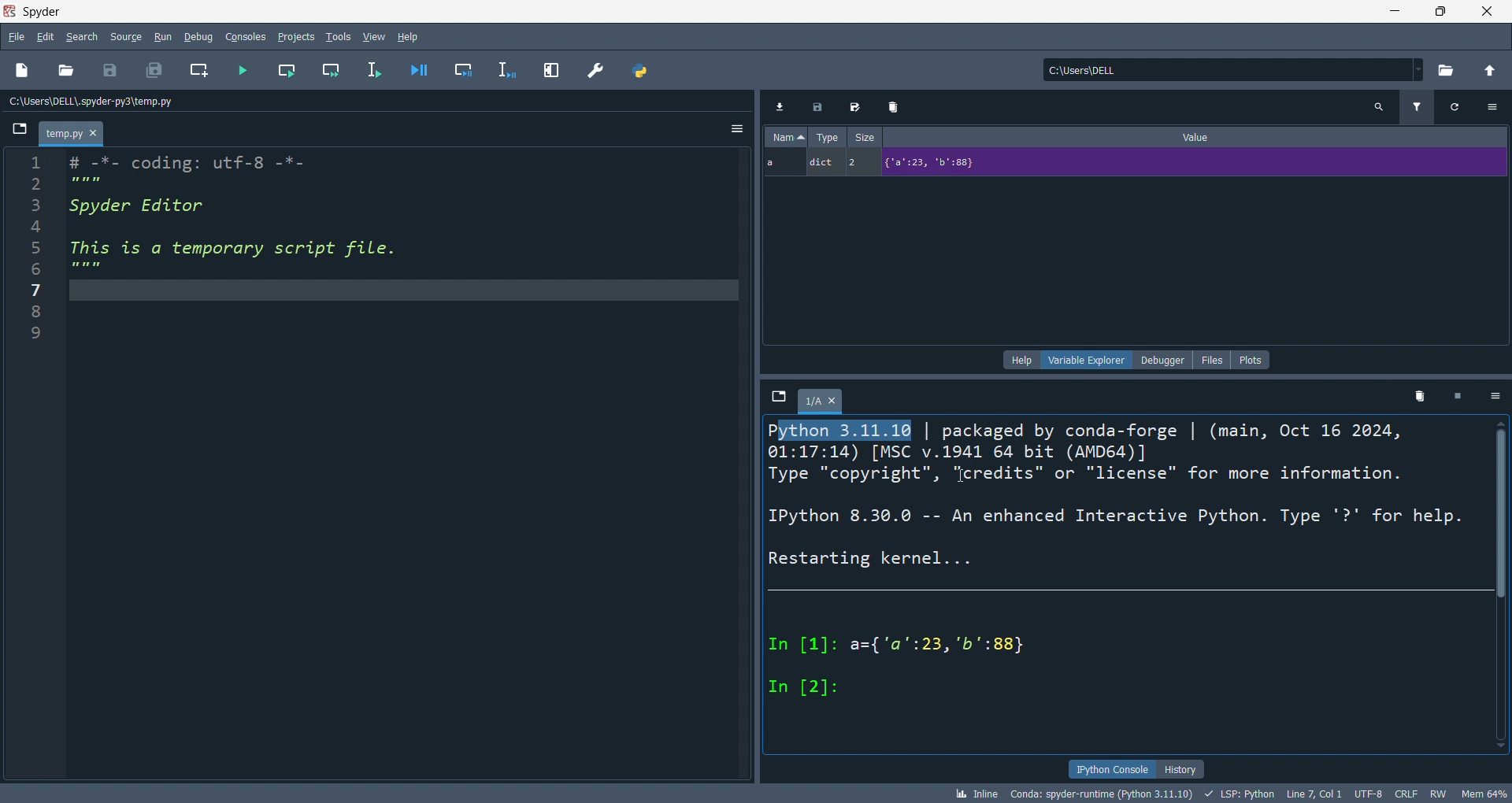 The height and width of the screenshot is (803, 1512). Describe the element at coordinates (1484, 793) in the screenshot. I see `mem 64%` at that location.